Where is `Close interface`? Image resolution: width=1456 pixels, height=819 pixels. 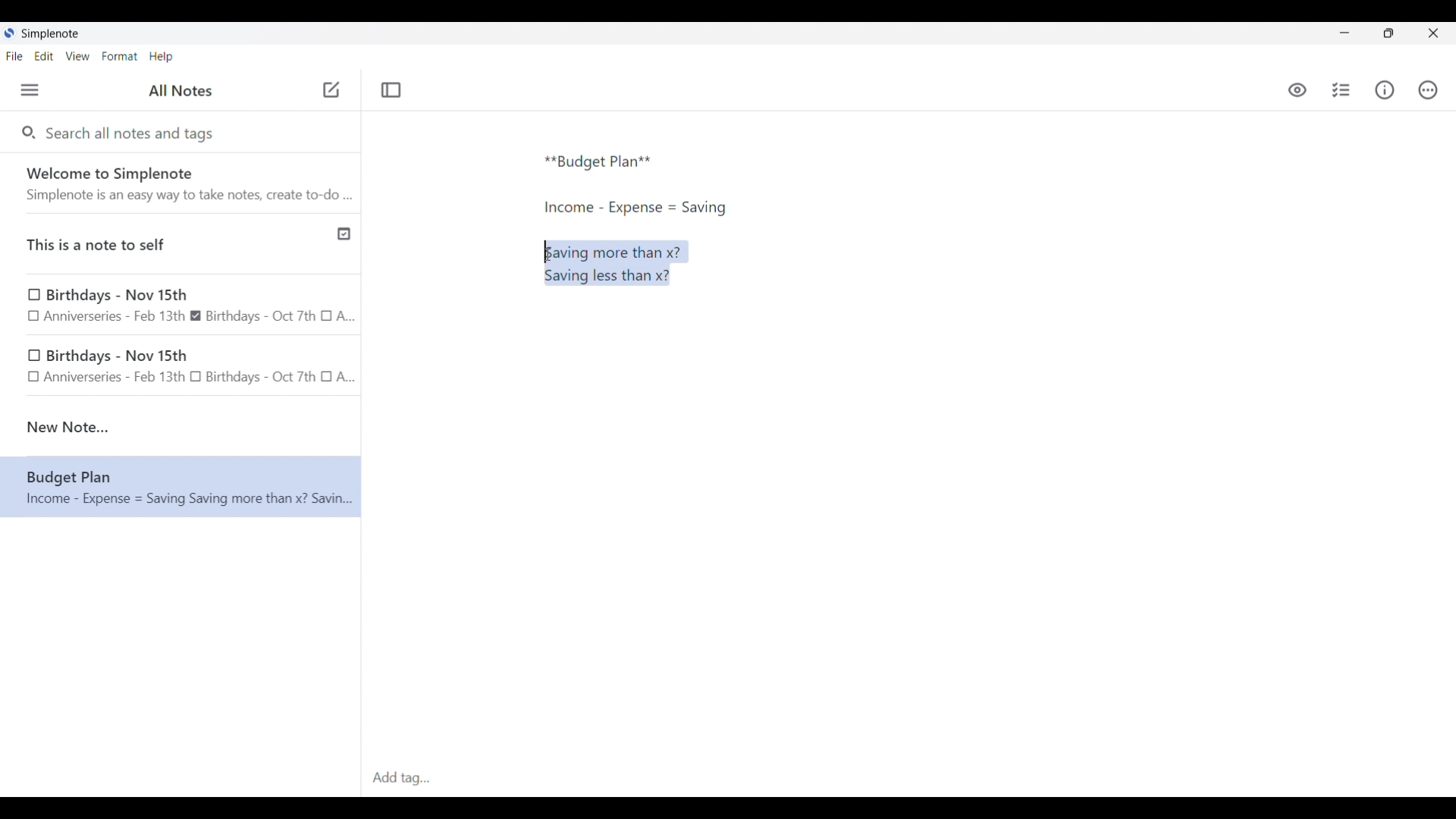 Close interface is located at coordinates (1433, 33).